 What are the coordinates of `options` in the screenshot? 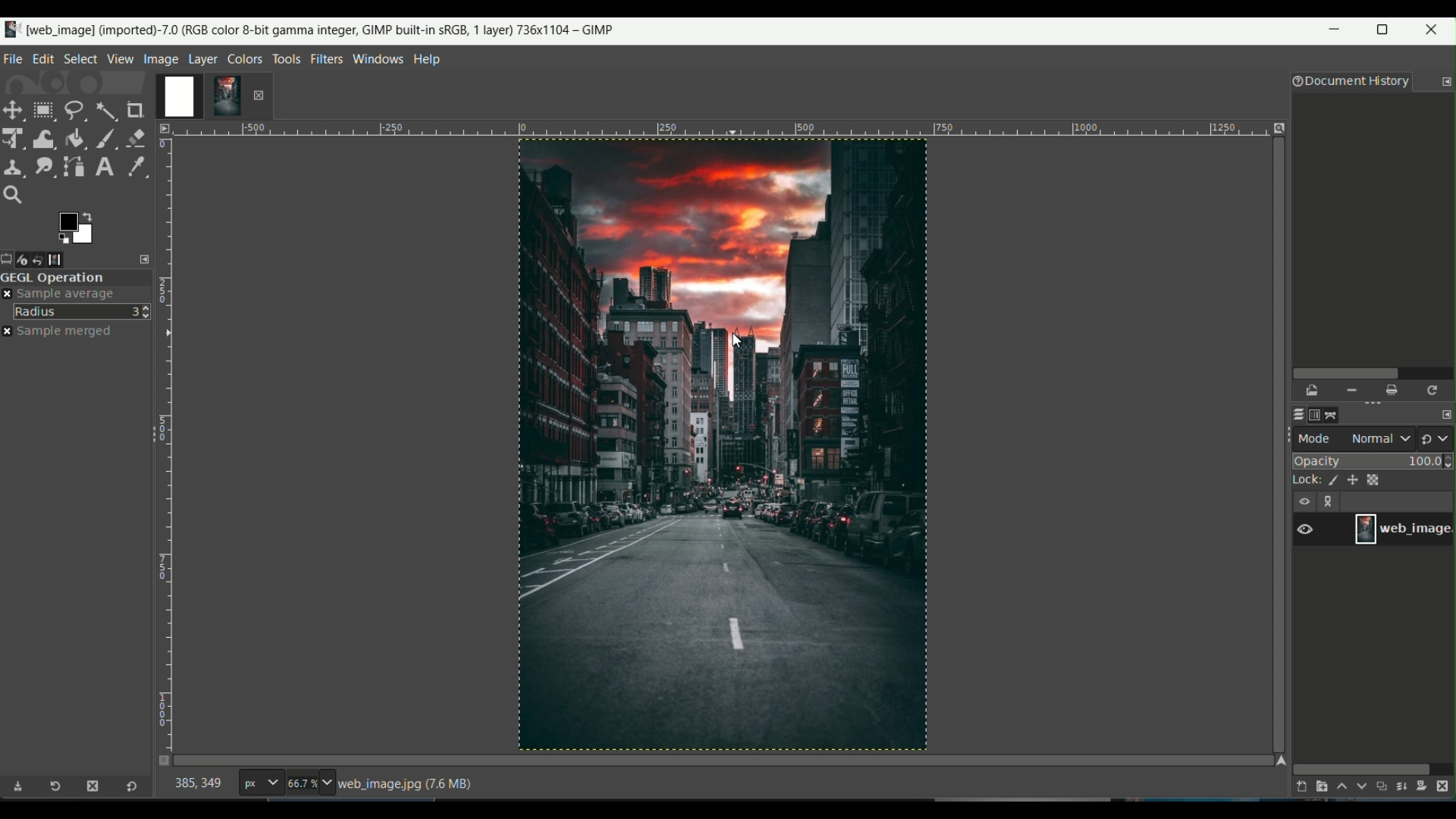 It's located at (1332, 503).